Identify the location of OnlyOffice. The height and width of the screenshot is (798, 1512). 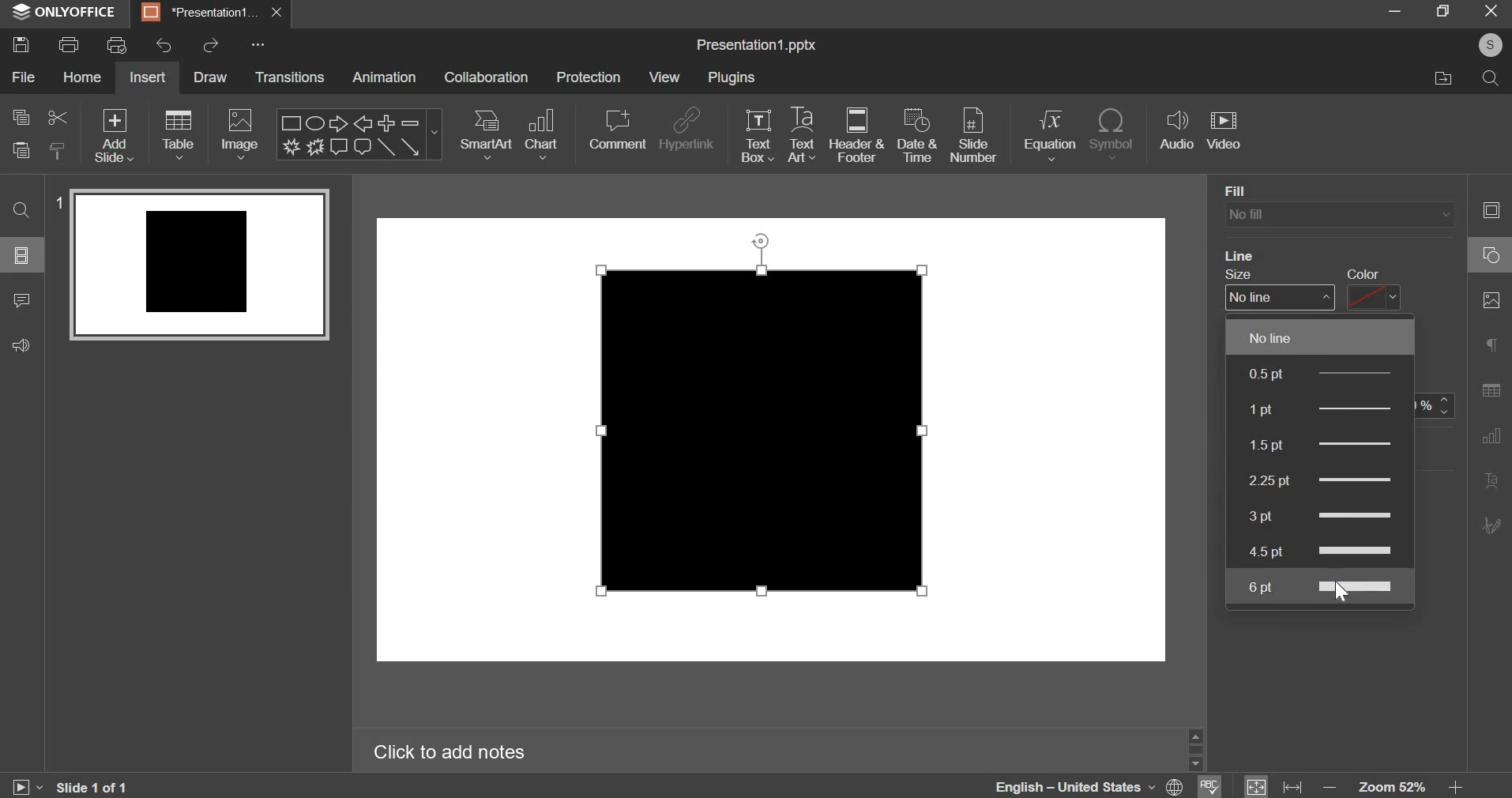
(66, 12).